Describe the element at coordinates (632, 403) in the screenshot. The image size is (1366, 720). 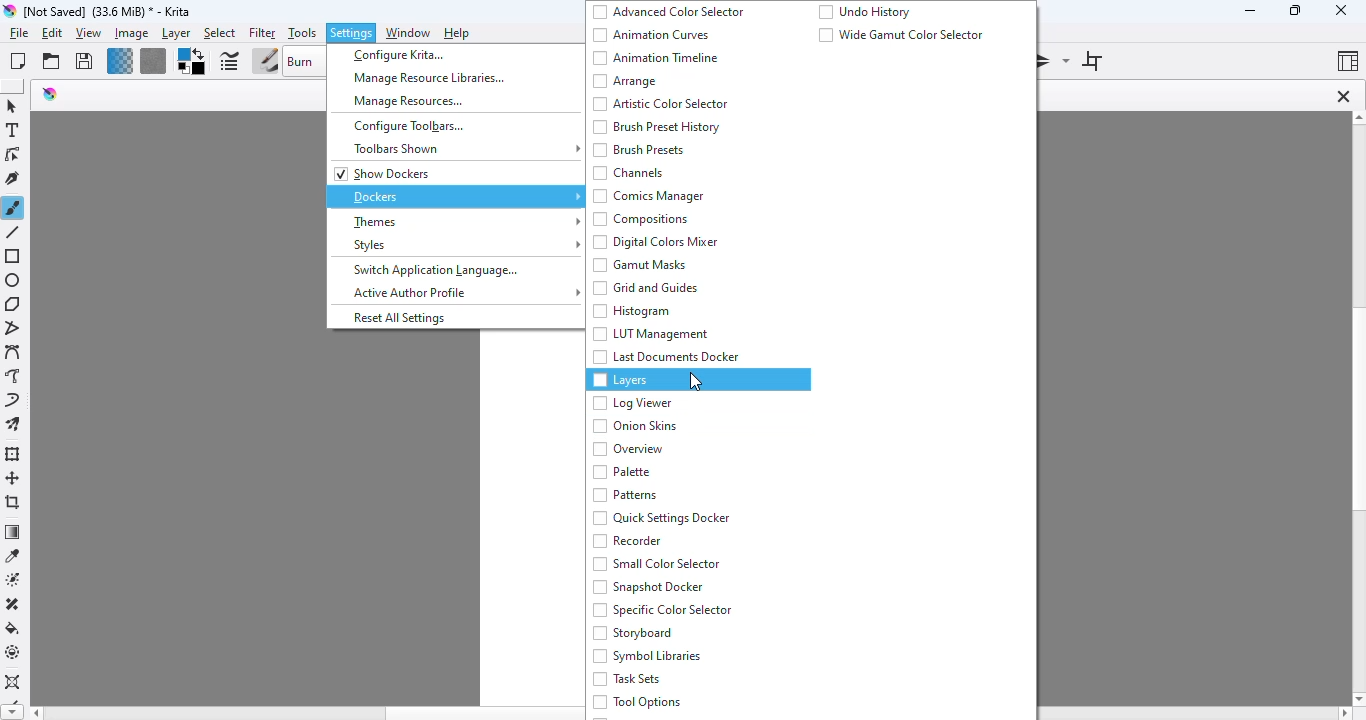
I see `log viewer` at that location.